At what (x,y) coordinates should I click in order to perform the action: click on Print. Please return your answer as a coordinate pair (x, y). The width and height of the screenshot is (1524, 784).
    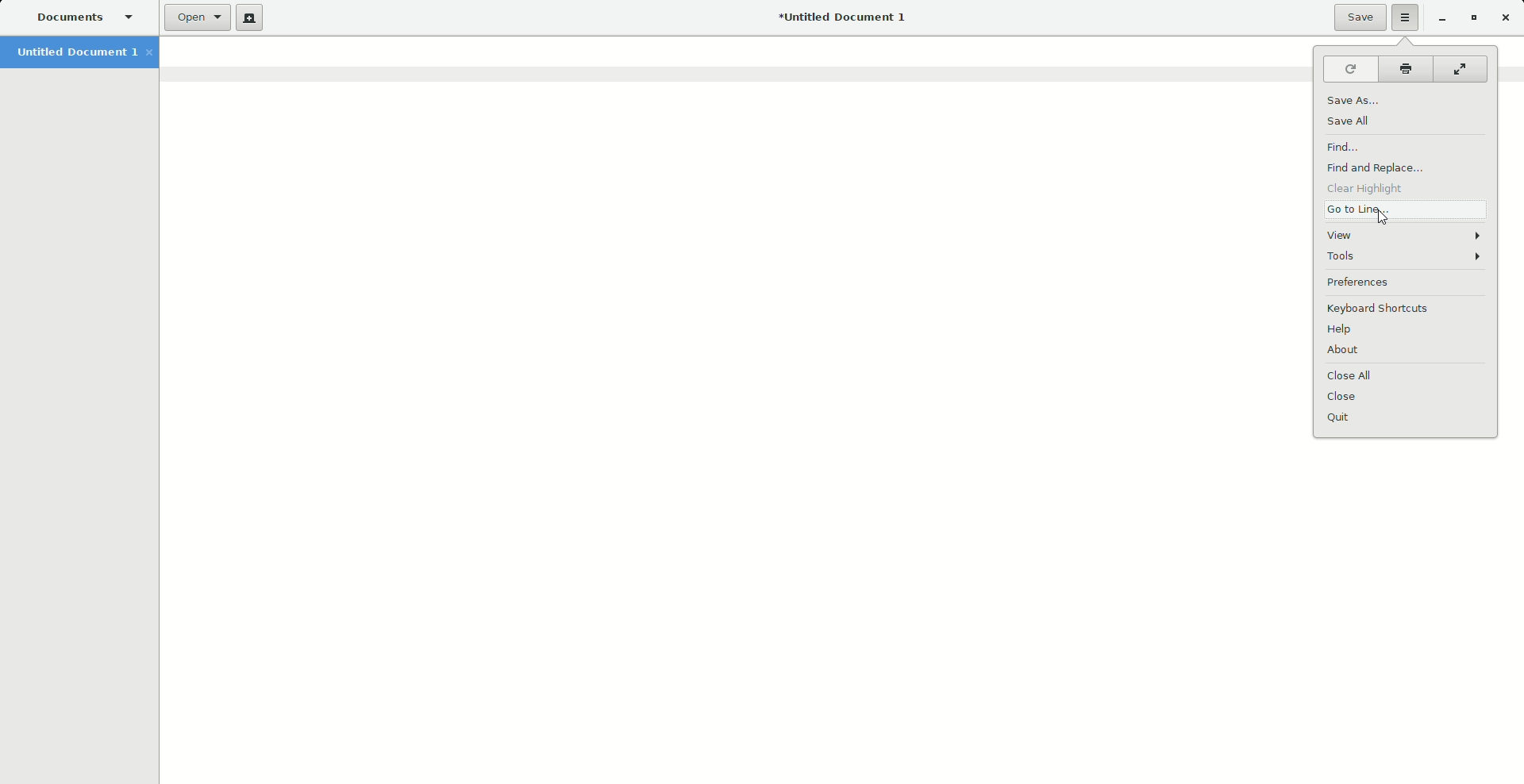
    Looking at the image, I should click on (1406, 68).